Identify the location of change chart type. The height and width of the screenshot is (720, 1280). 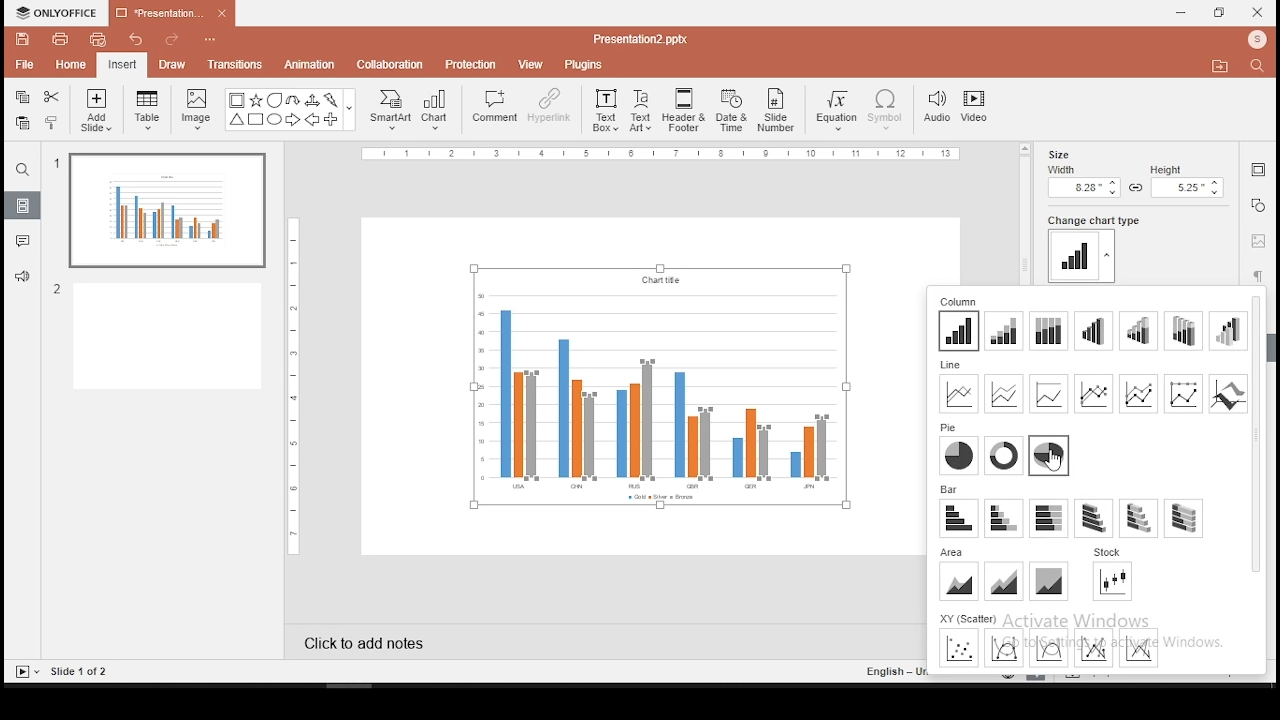
(1084, 255).